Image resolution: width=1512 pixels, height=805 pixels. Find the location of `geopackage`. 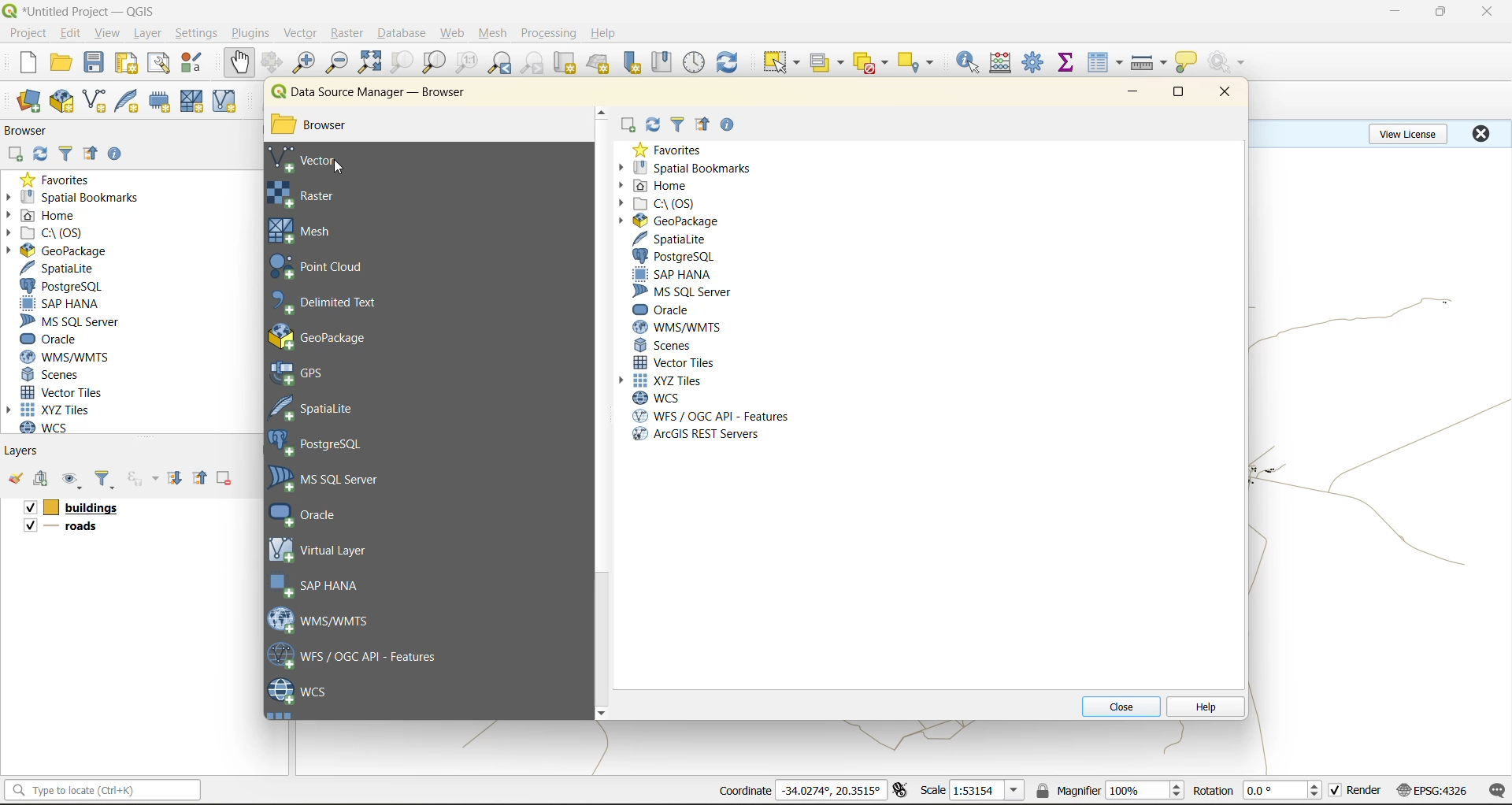

geopackage is located at coordinates (672, 222).